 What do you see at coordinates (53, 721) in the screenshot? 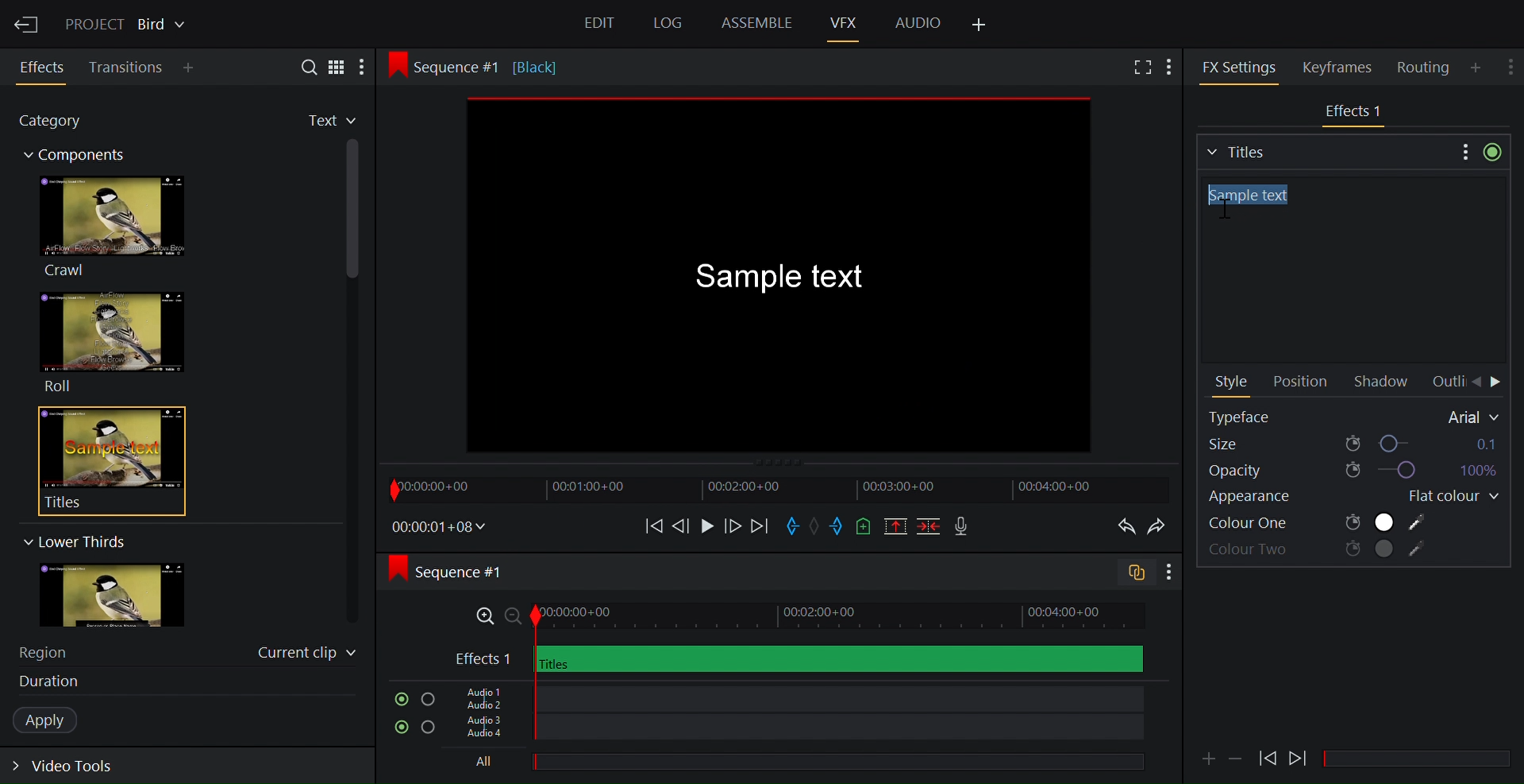
I see `Apply` at bounding box center [53, 721].